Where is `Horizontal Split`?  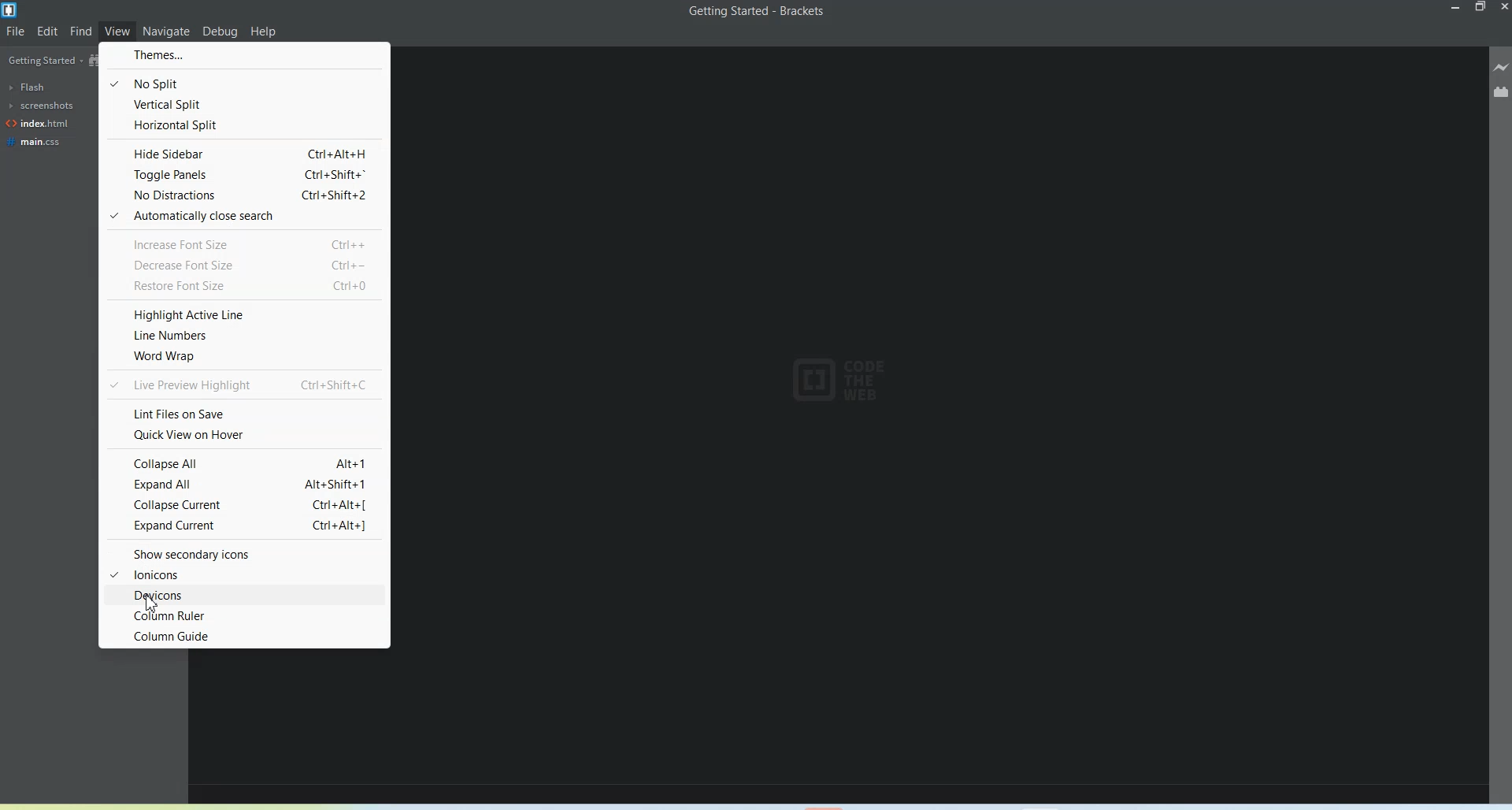 Horizontal Split is located at coordinates (243, 125).